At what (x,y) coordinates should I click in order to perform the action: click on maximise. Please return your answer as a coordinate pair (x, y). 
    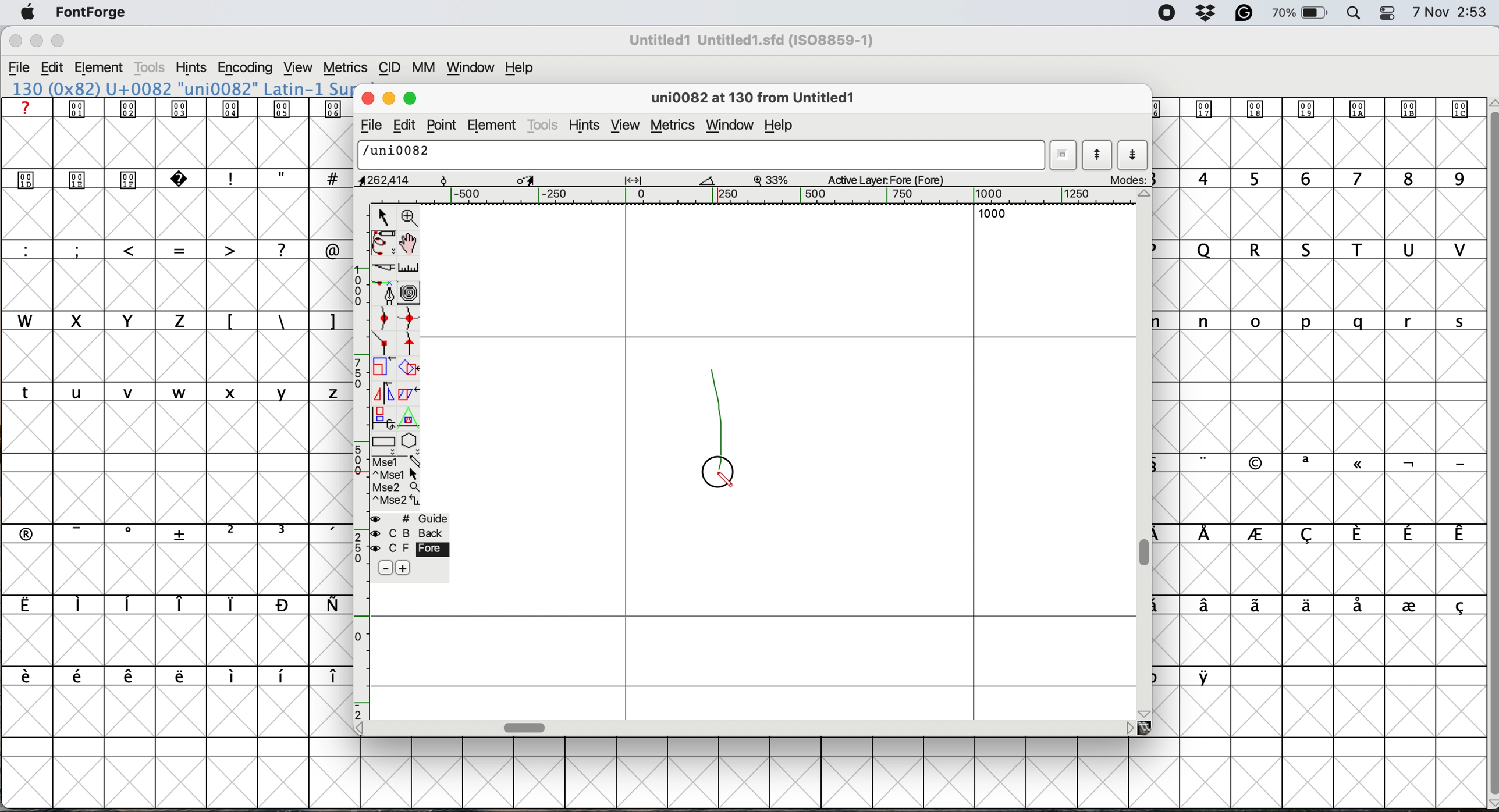
    Looking at the image, I should click on (57, 40).